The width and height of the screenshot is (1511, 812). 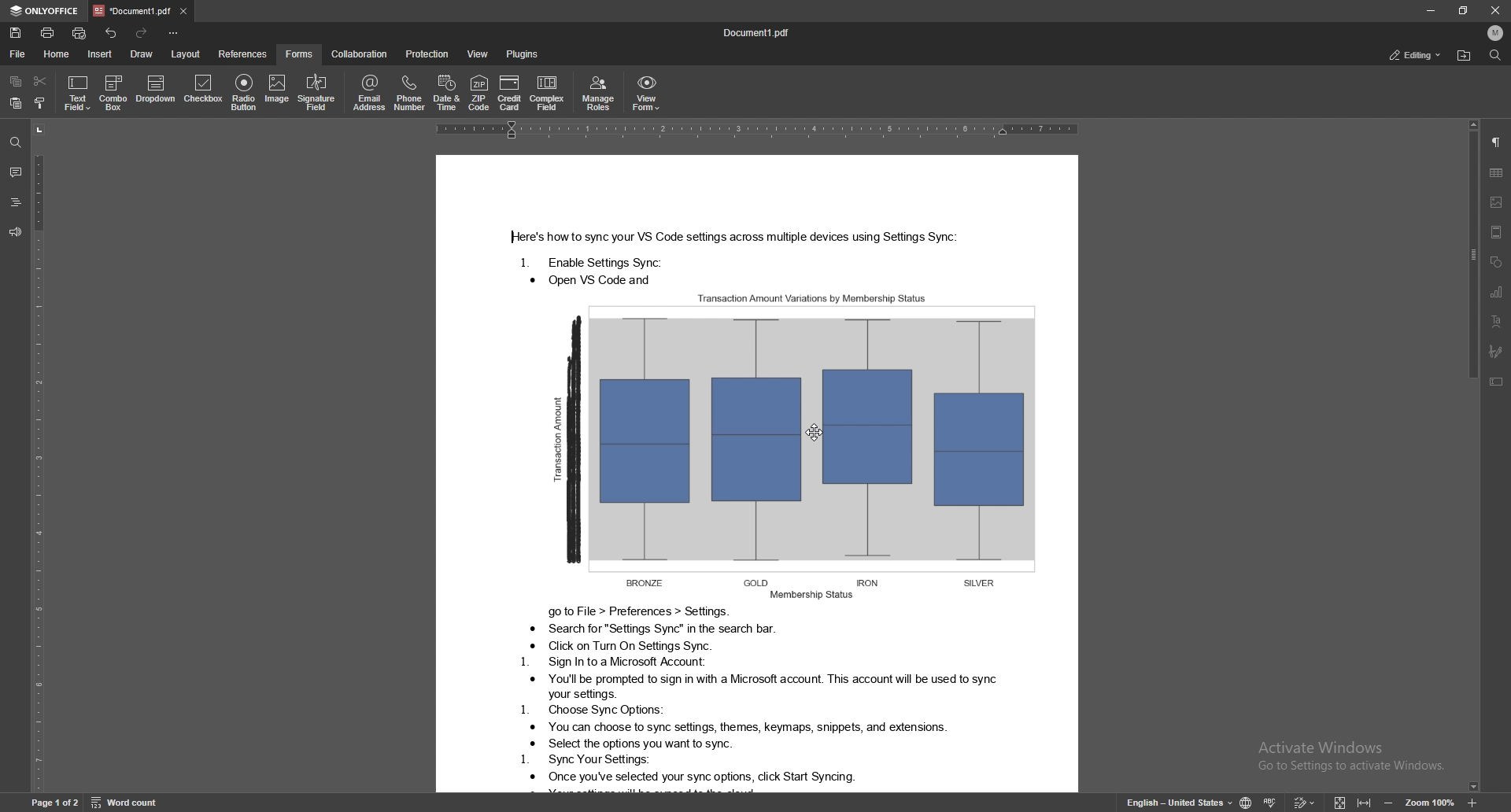 What do you see at coordinates (41, 80) in the screenshot?
I see `cut` at bounding box center [41, 80].